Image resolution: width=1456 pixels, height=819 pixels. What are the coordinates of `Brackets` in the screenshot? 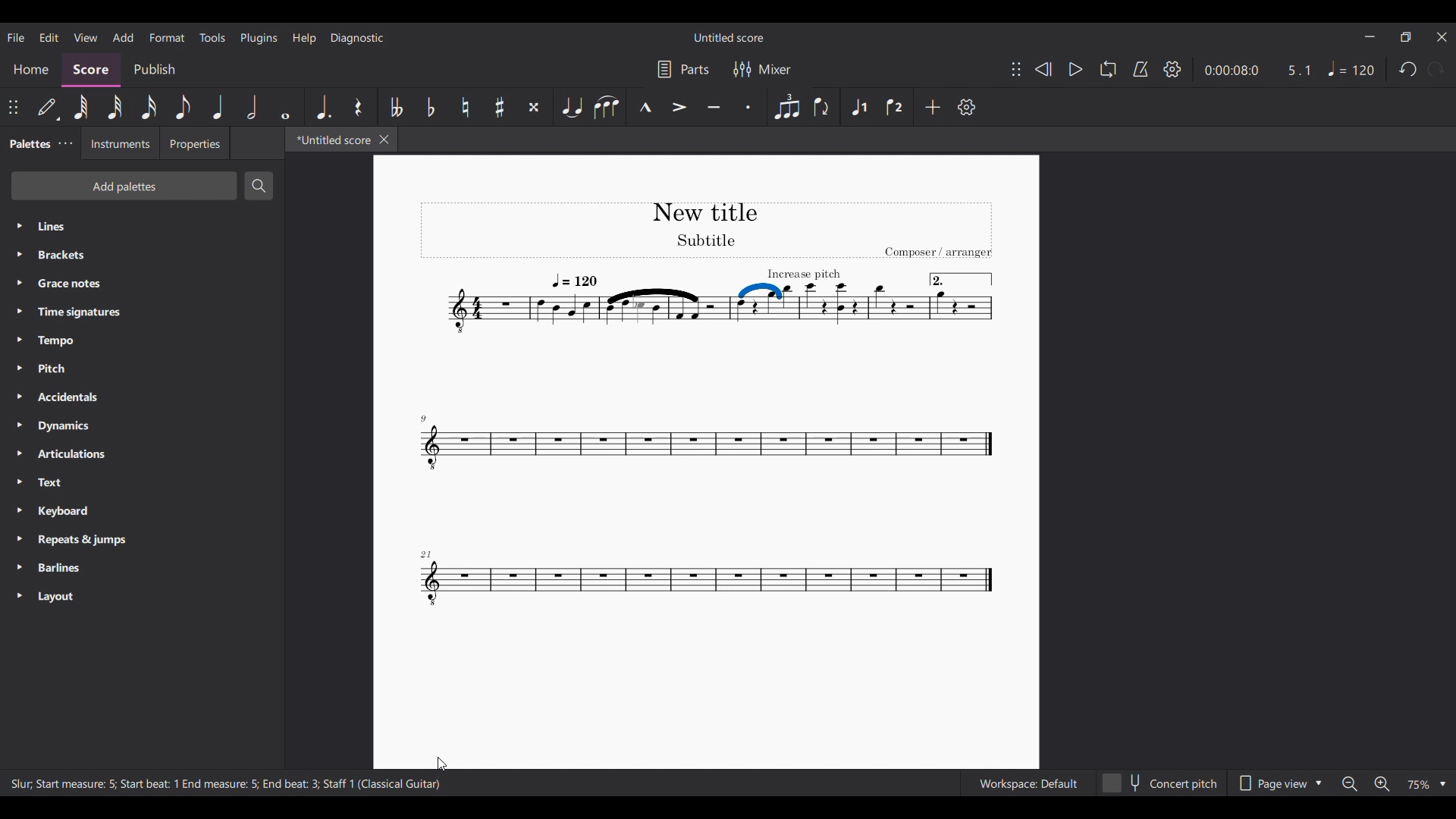 It's located at (143, 255).